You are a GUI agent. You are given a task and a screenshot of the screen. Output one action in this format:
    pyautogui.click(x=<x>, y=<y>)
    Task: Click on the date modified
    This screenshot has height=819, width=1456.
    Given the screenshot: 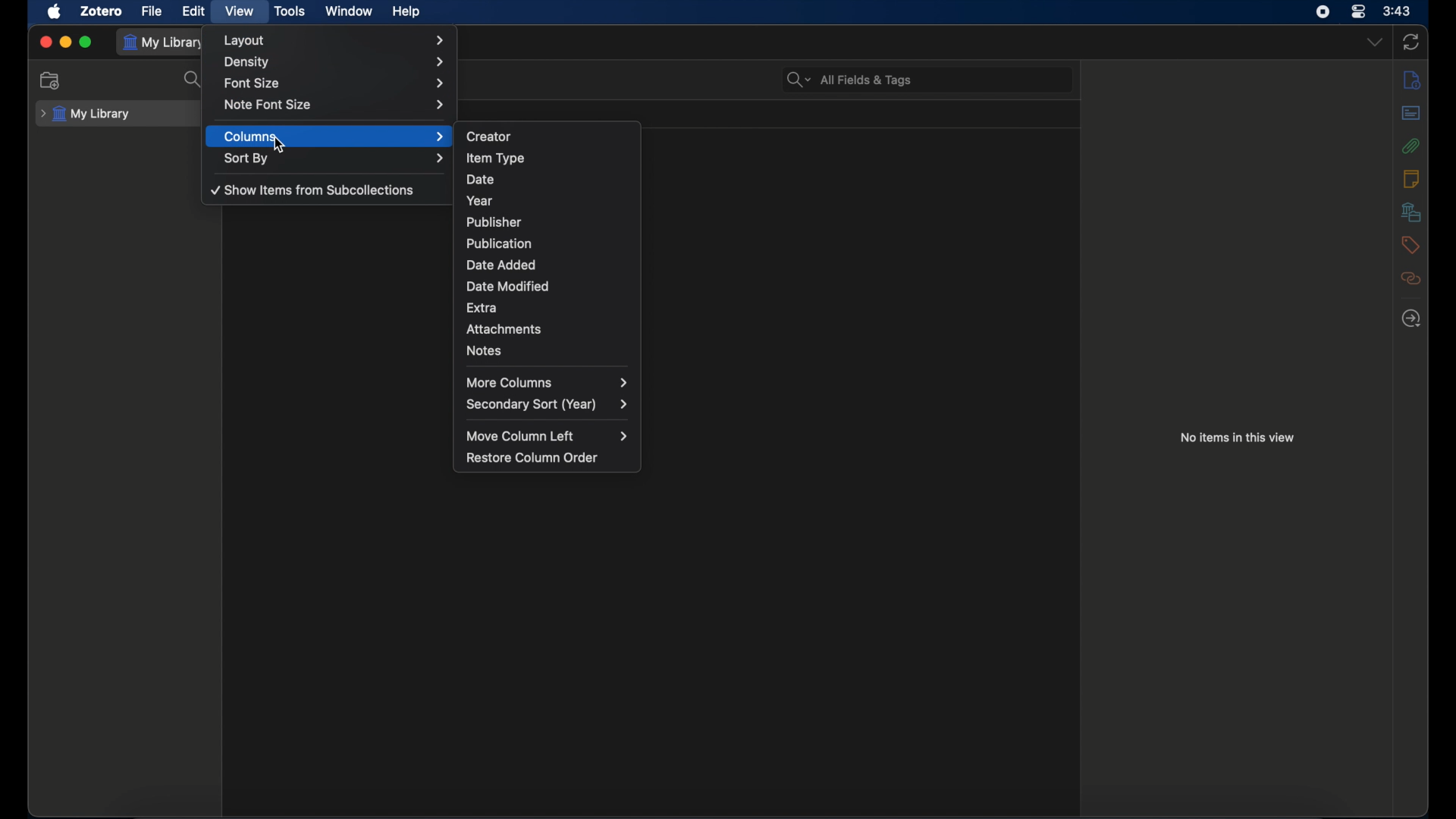 What is the action you would take?
    pyautogui.click(x=548, y=286)
    